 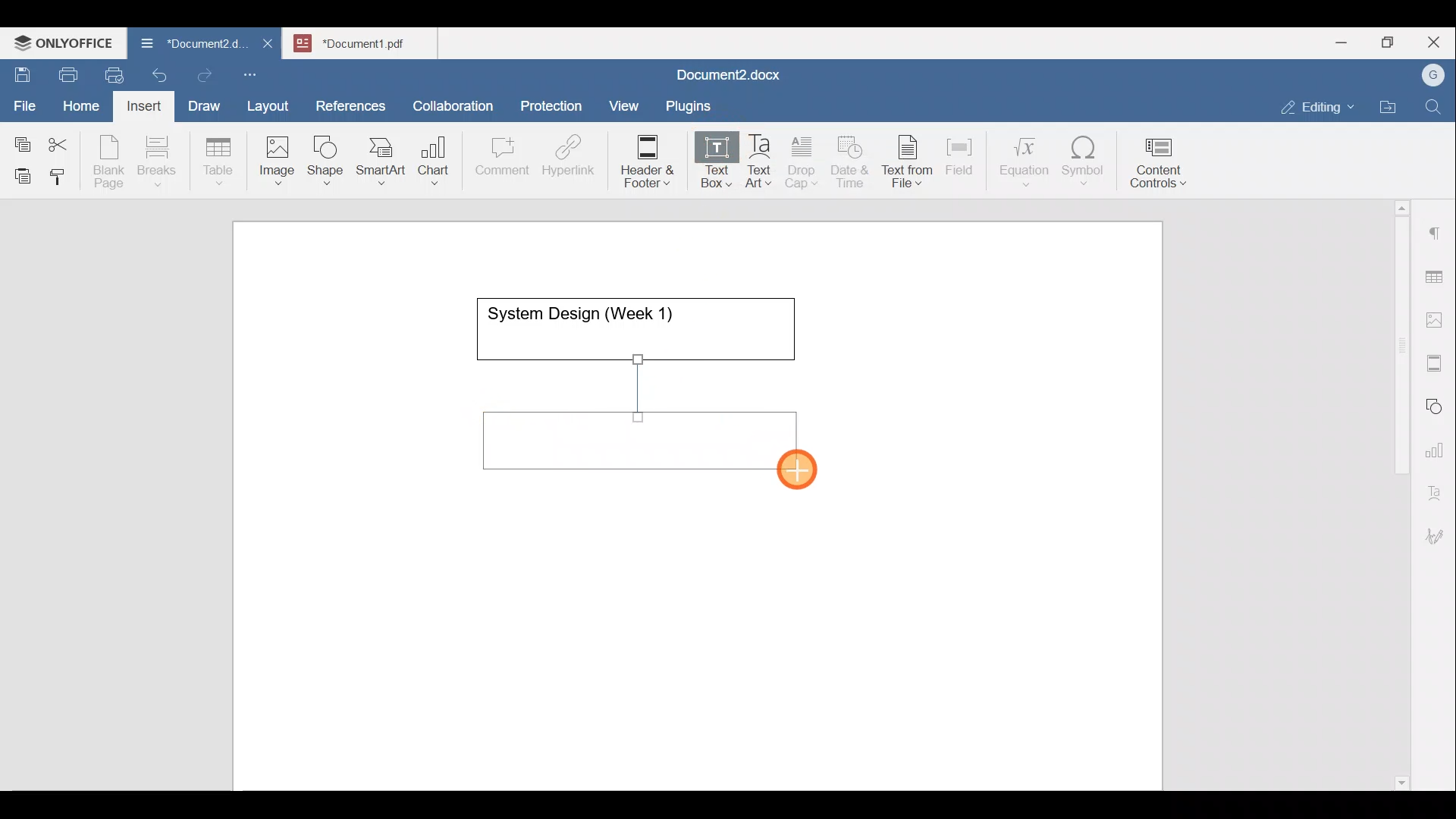 What do you see at coordinates (959, 154) in the screenshot?
I see `Field` at bounding box center [959, 154].